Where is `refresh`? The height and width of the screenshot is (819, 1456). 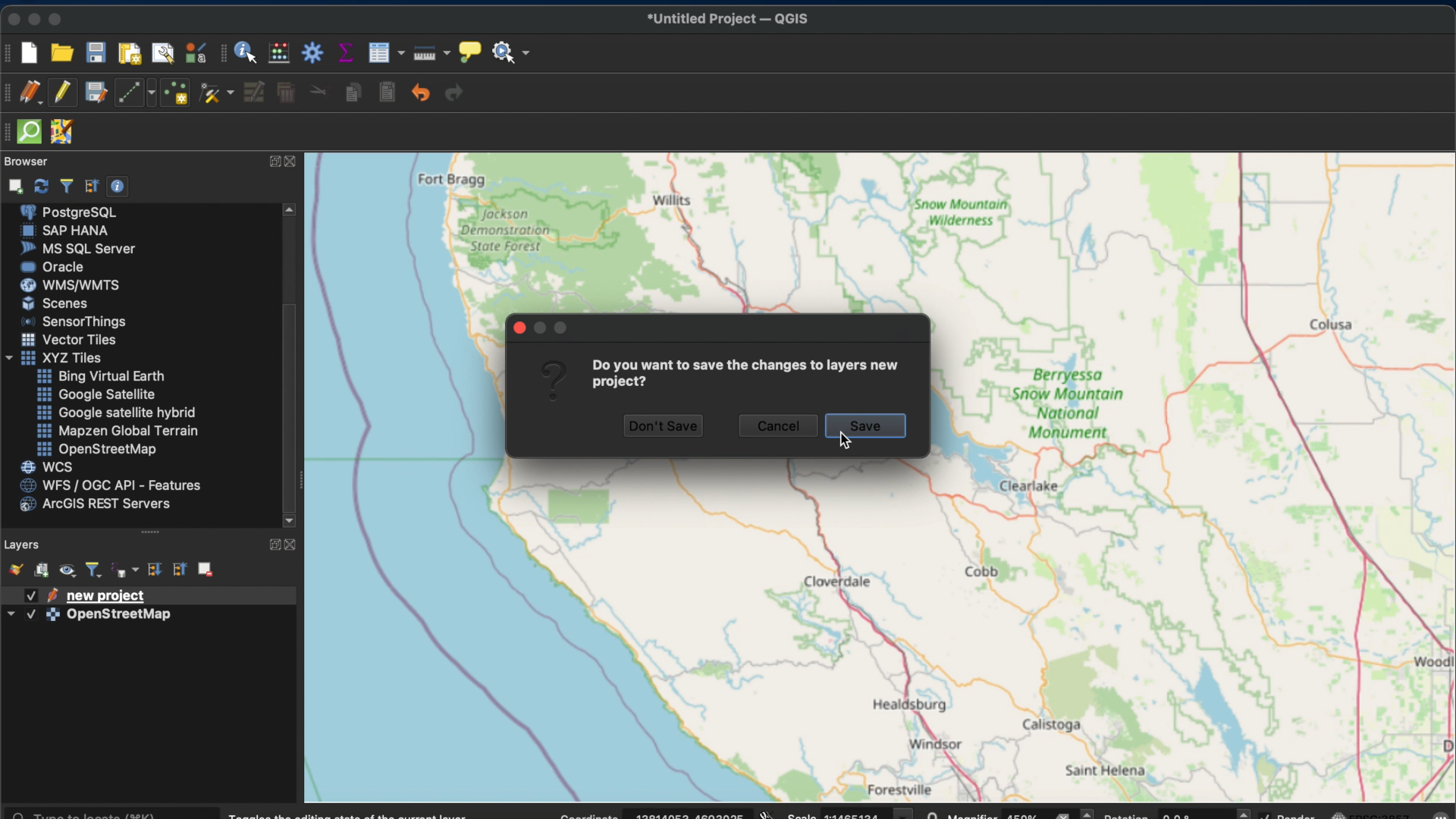
refresh is located at coordinates (42, 184).